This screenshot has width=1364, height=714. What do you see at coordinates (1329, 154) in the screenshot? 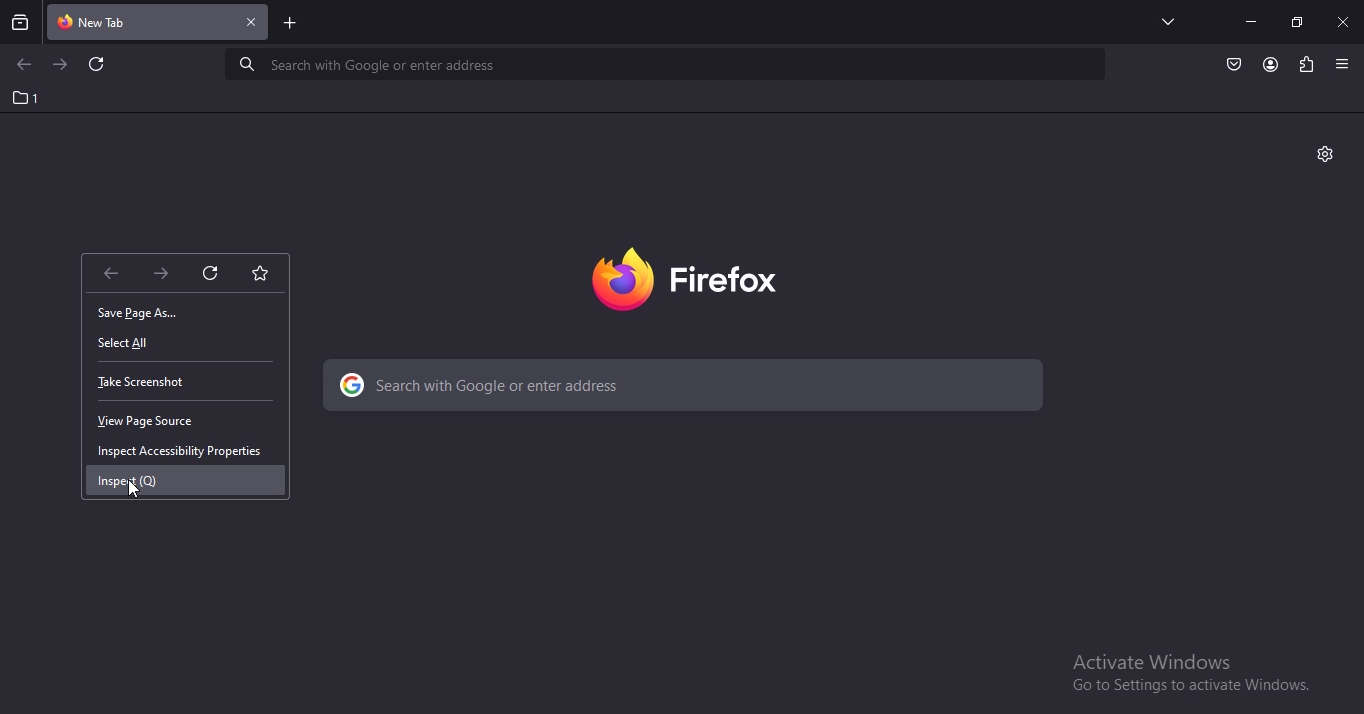
I see `personalise this tab` at bounding box center [1329, 154].